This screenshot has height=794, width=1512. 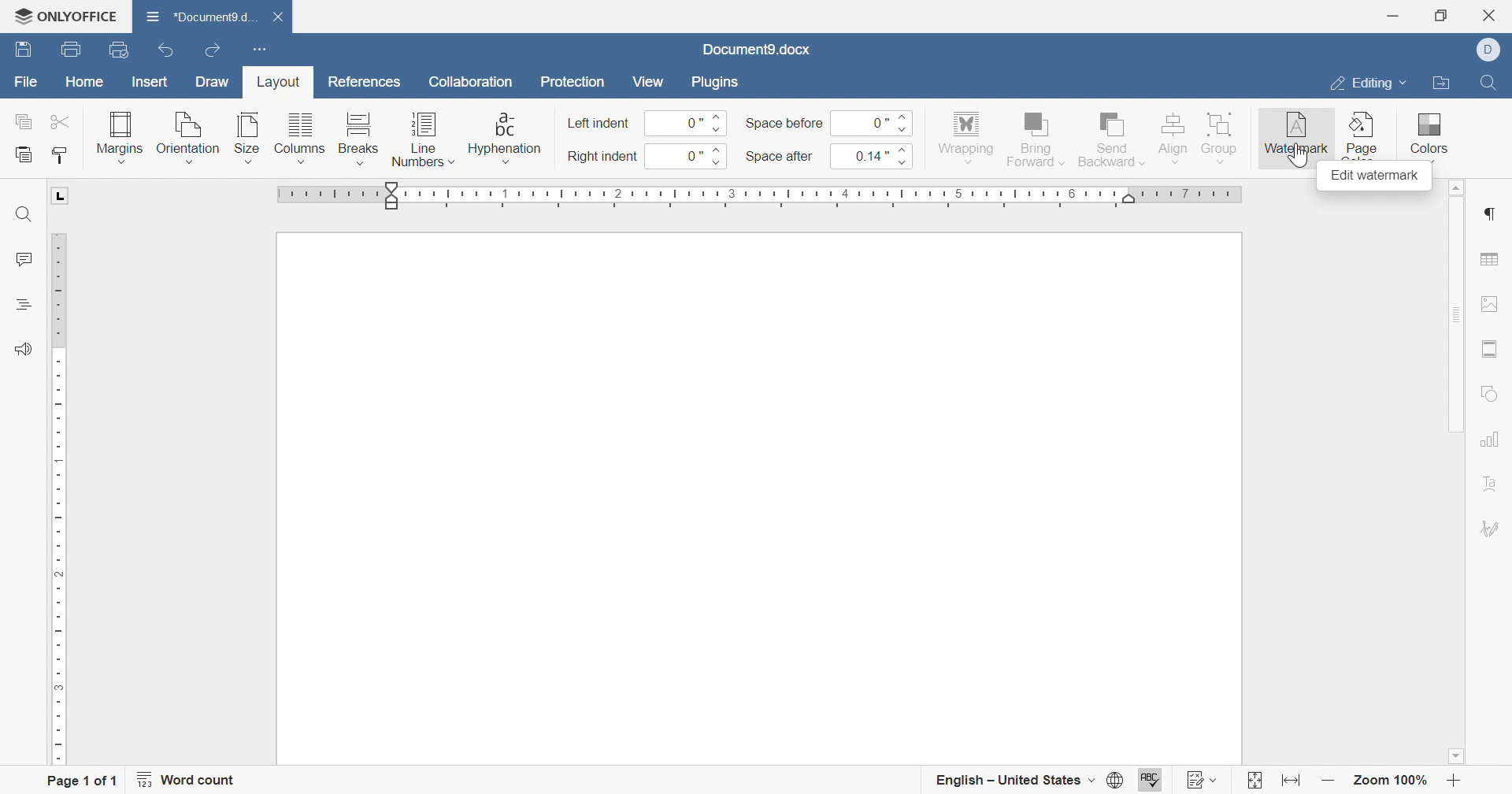 I want to click on restore down, so click(x=1446, y=15).